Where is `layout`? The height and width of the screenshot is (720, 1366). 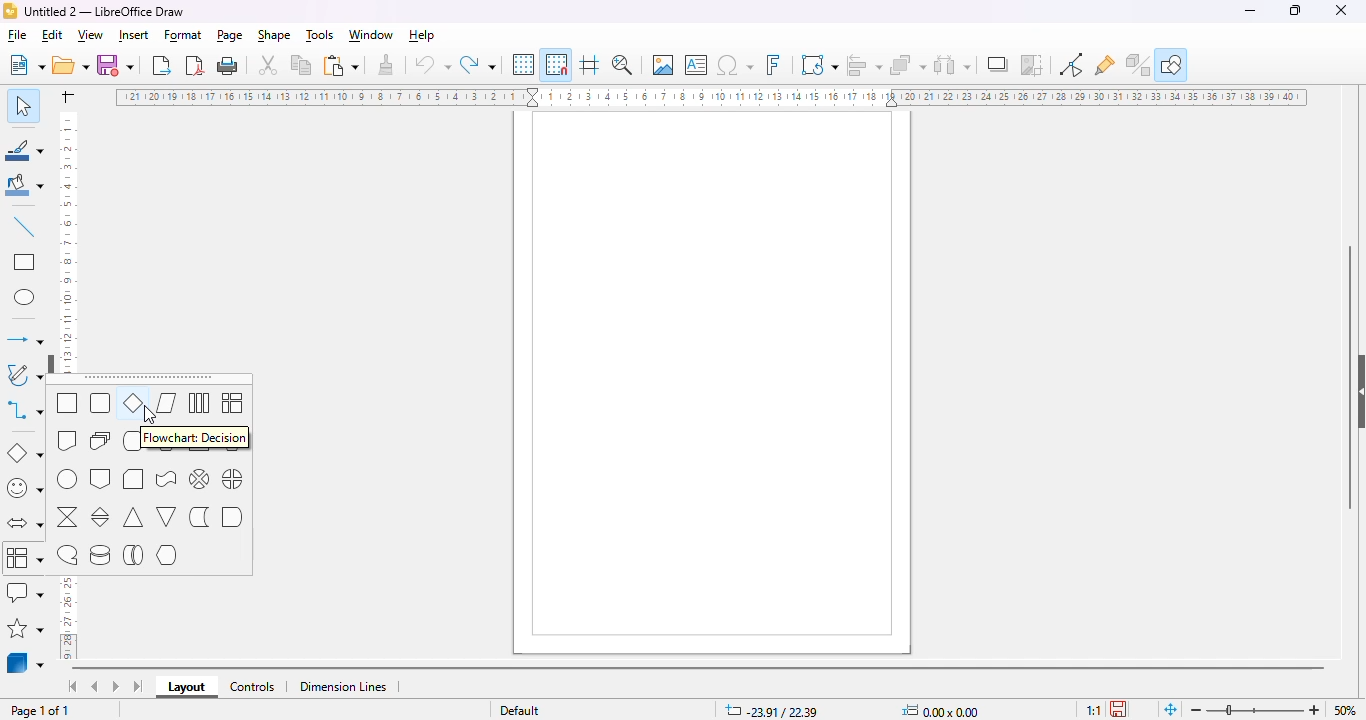 layout is located at coordinates (189, 687).